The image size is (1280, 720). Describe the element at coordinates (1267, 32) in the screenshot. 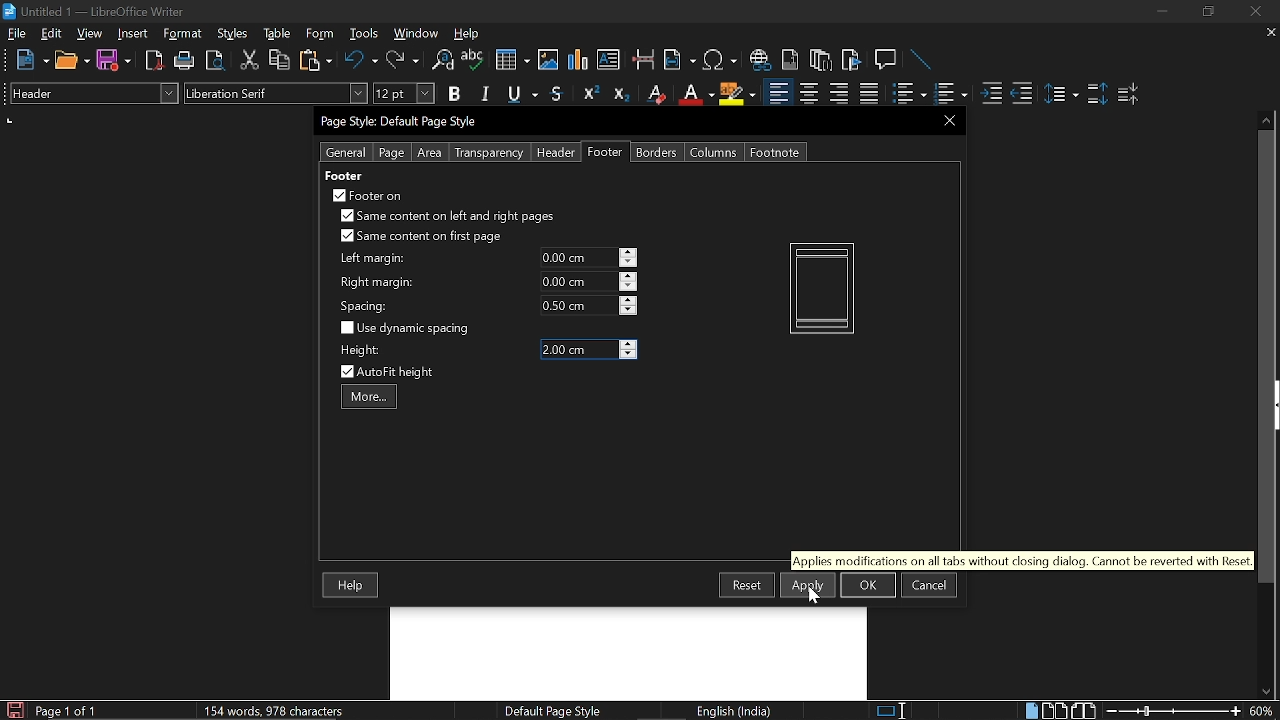

I see `Close current tab` at that location.